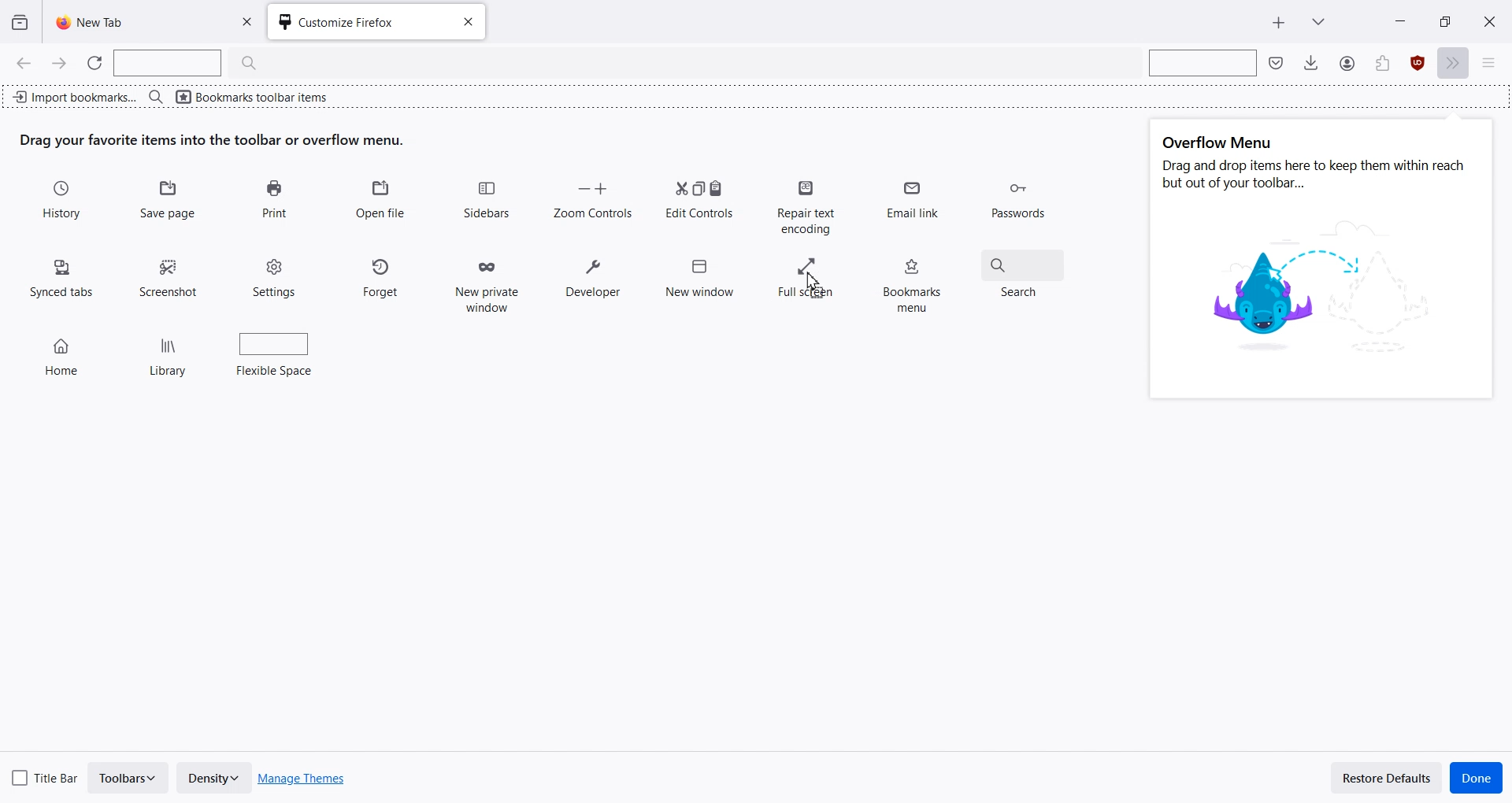 Image resolution: width=1512 pixels, height=803 pixels. What do you see at coordinates (1322, 290) in the screenshot?
I see `image` at bounding box center [1322, 290].